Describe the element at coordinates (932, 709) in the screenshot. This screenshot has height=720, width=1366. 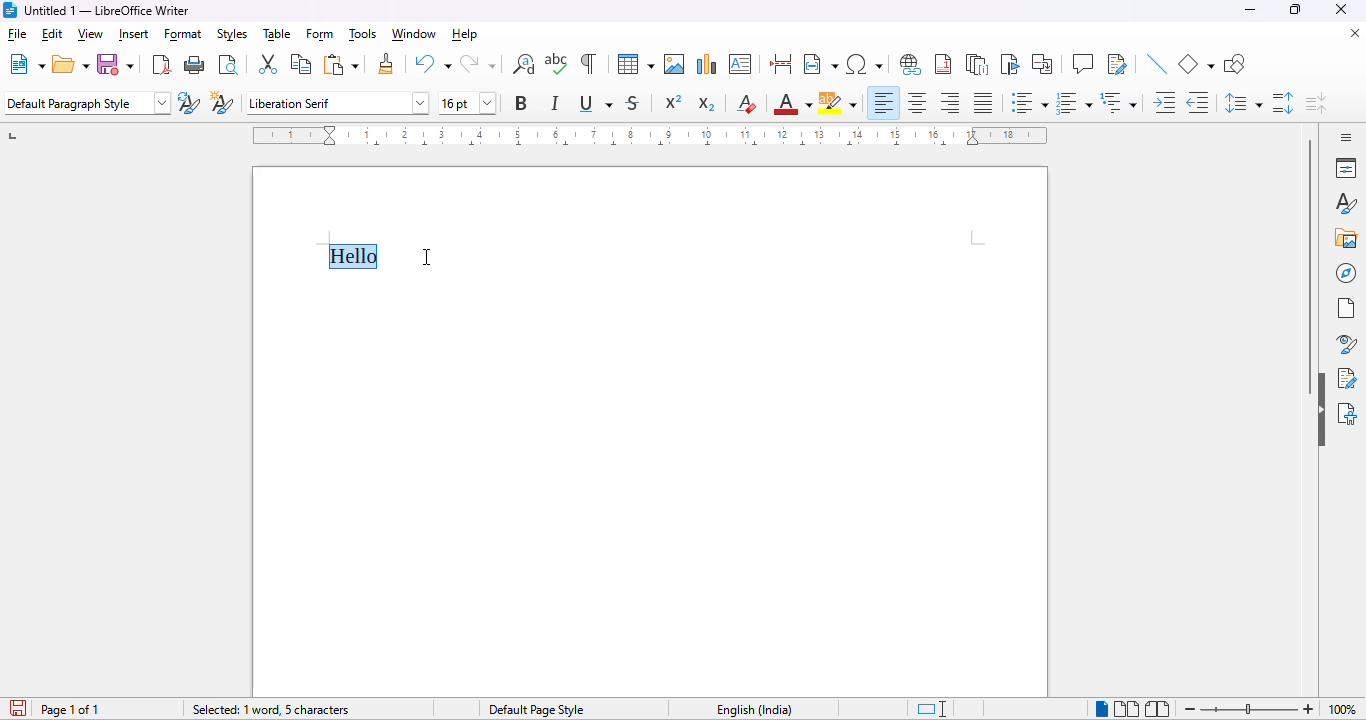
I see `standard selection` at that location.